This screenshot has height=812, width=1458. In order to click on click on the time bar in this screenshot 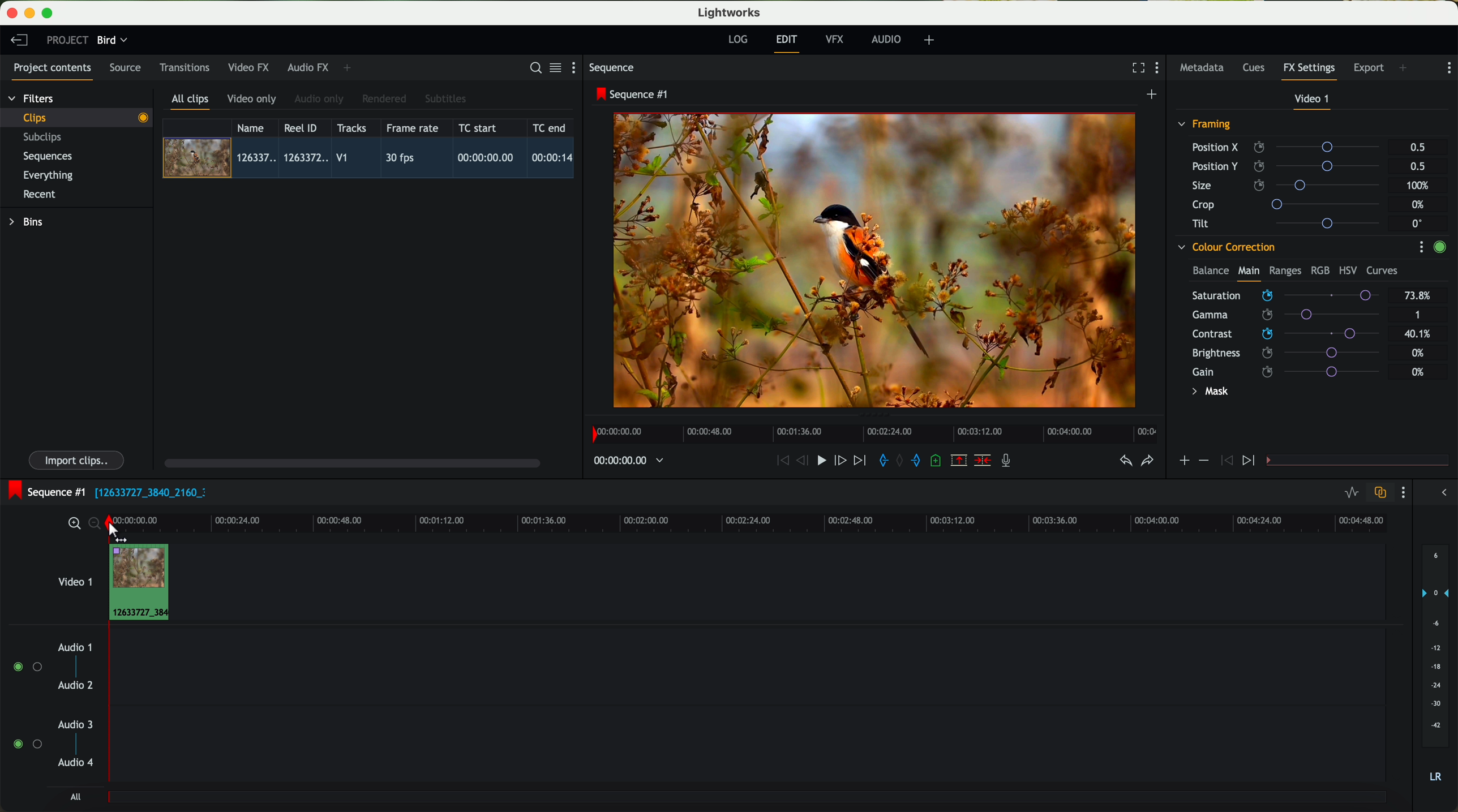, I will do `click(117, 534)`.